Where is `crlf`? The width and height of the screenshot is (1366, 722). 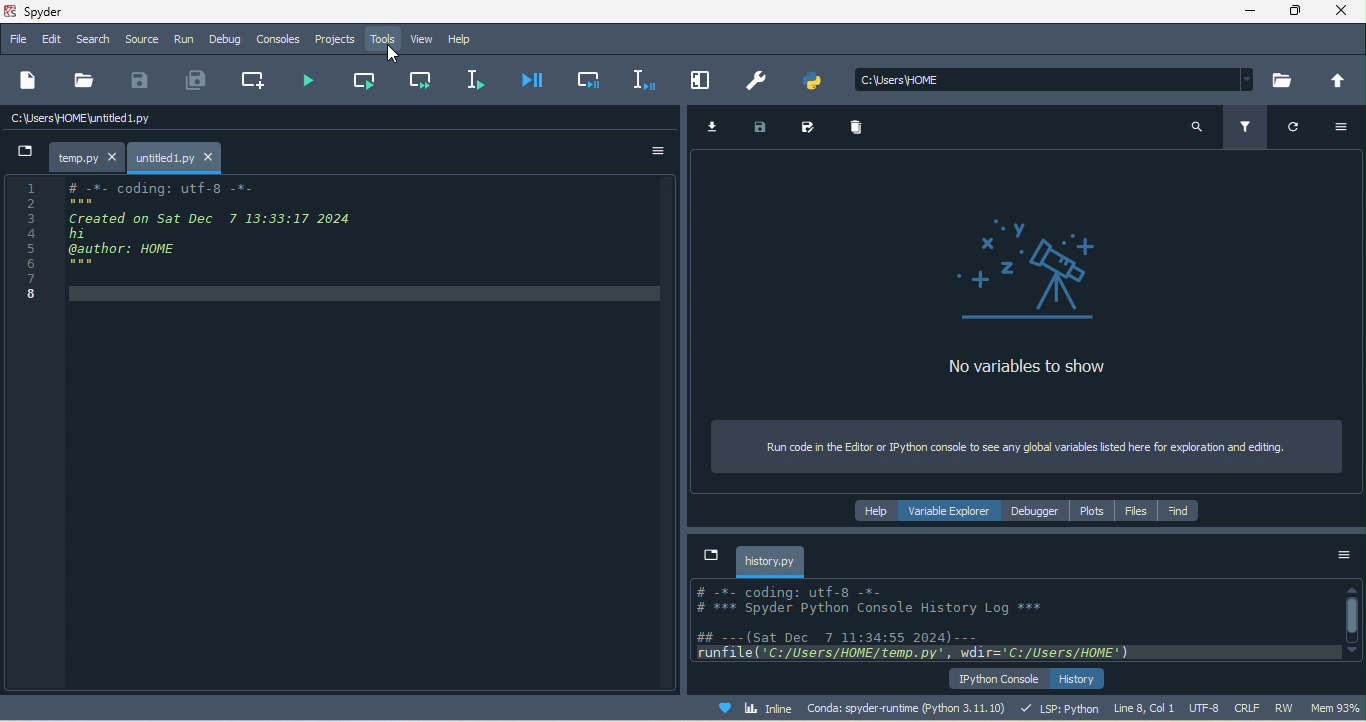
crlf is located at coordinates (1244, 706).